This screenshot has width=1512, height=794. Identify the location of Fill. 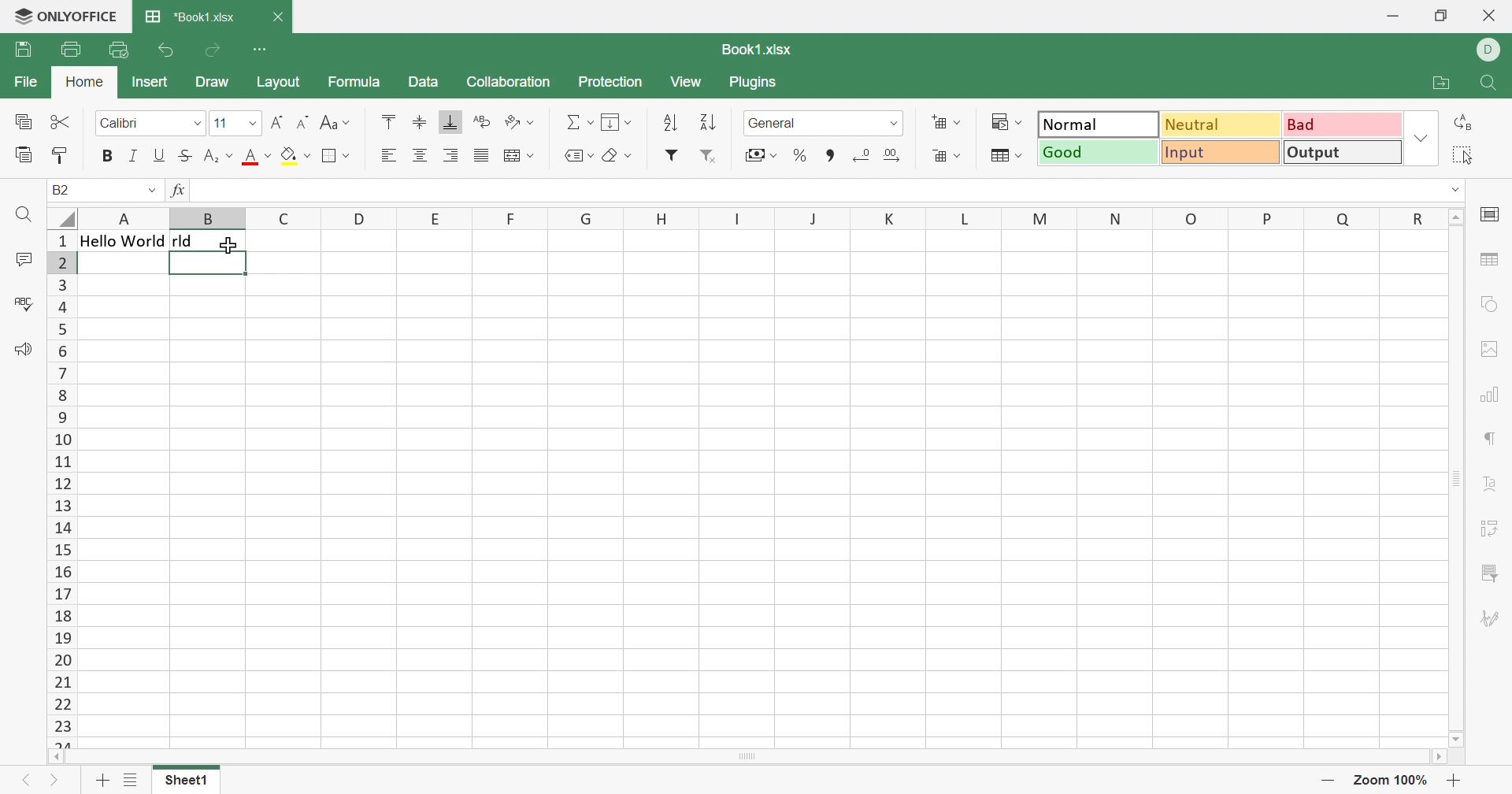
(613, 123).